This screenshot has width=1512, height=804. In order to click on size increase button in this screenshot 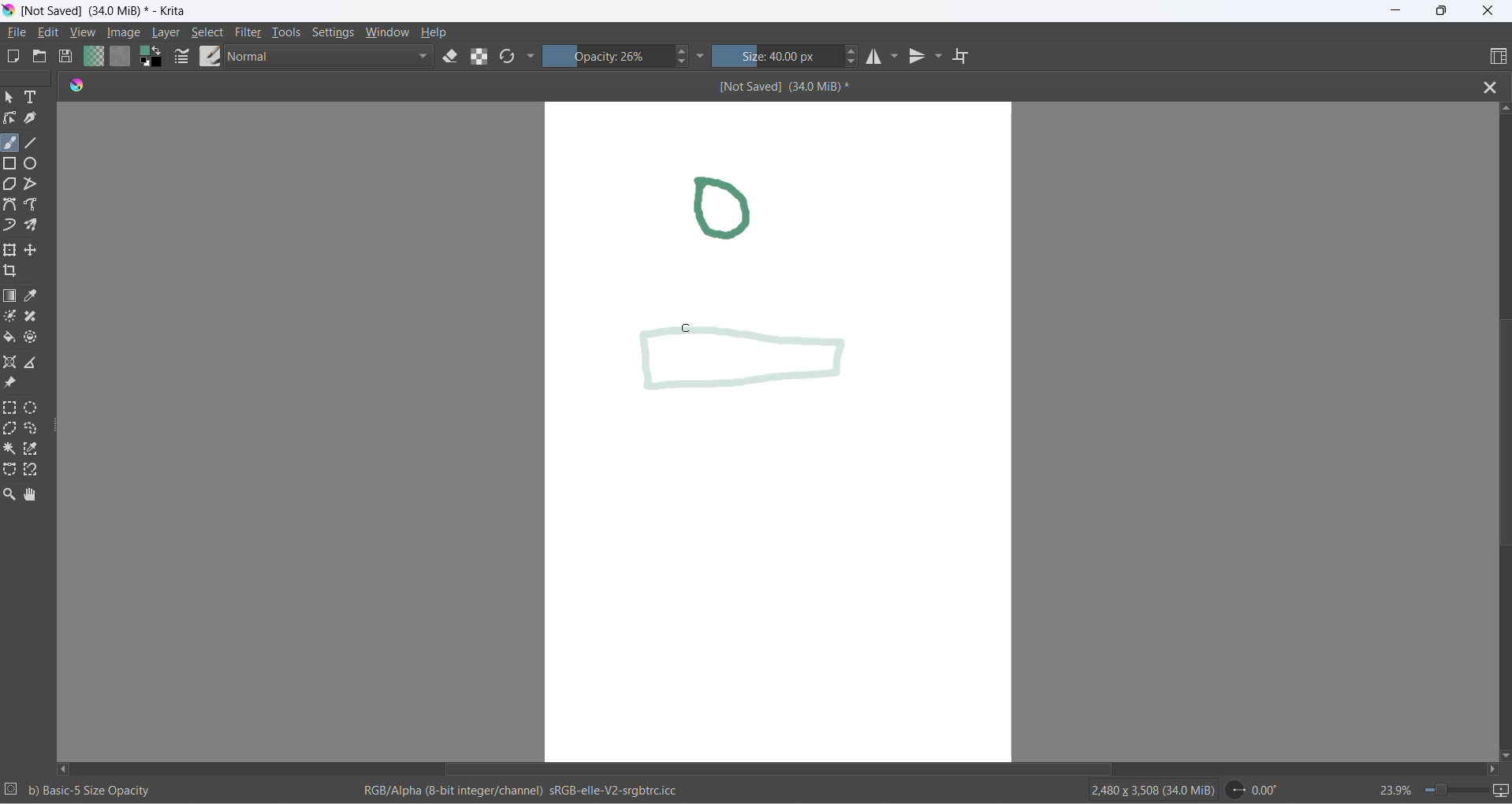, I will do `click(855, 52)`.